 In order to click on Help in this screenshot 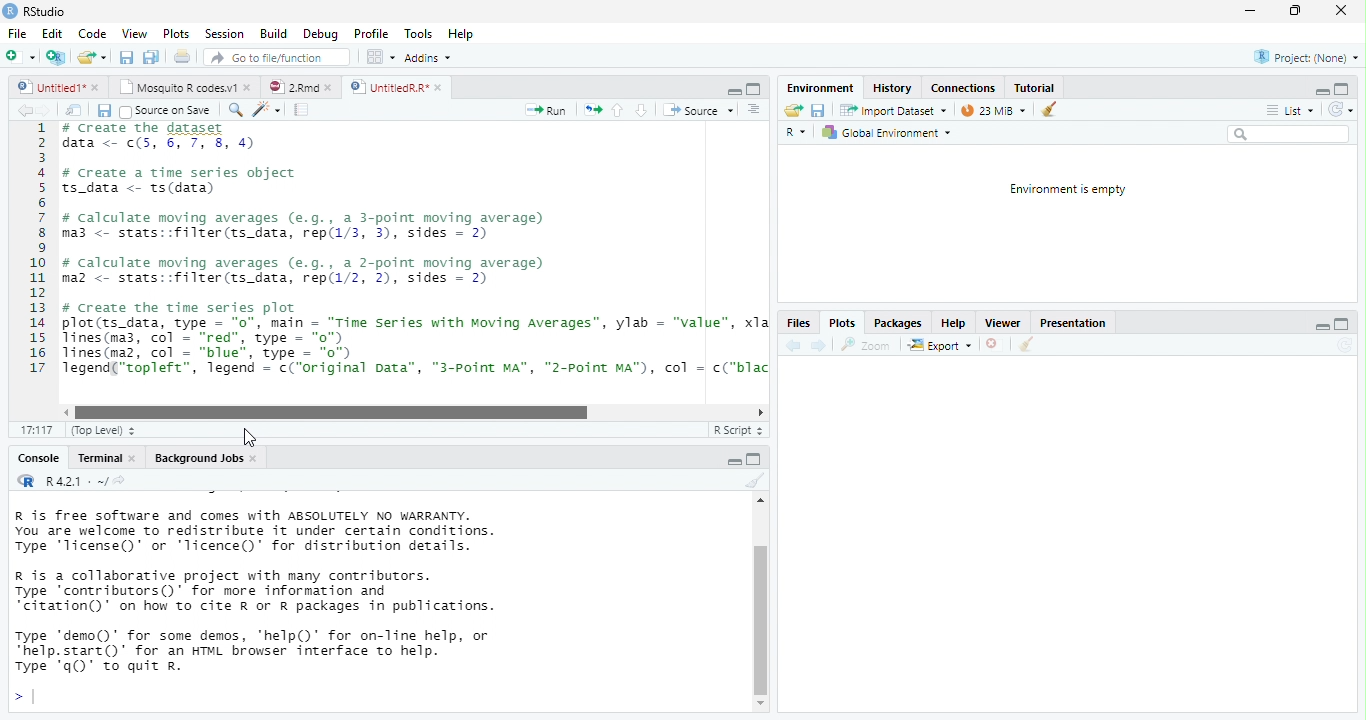, I will do `click(951, 323)`.